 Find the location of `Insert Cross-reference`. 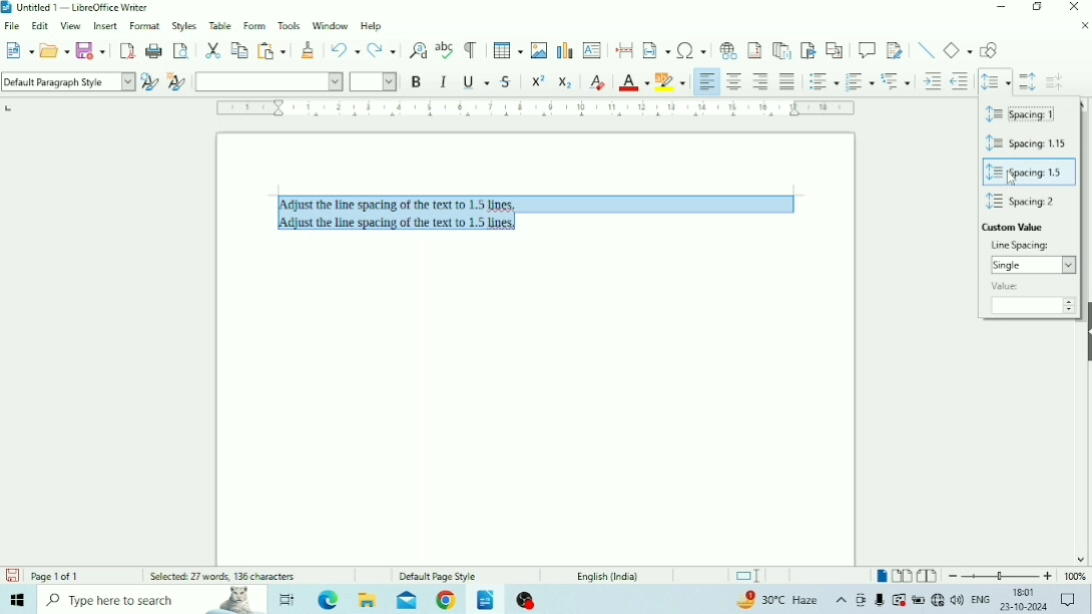

Insert Cross-reference is located at coordinates (834, 49).